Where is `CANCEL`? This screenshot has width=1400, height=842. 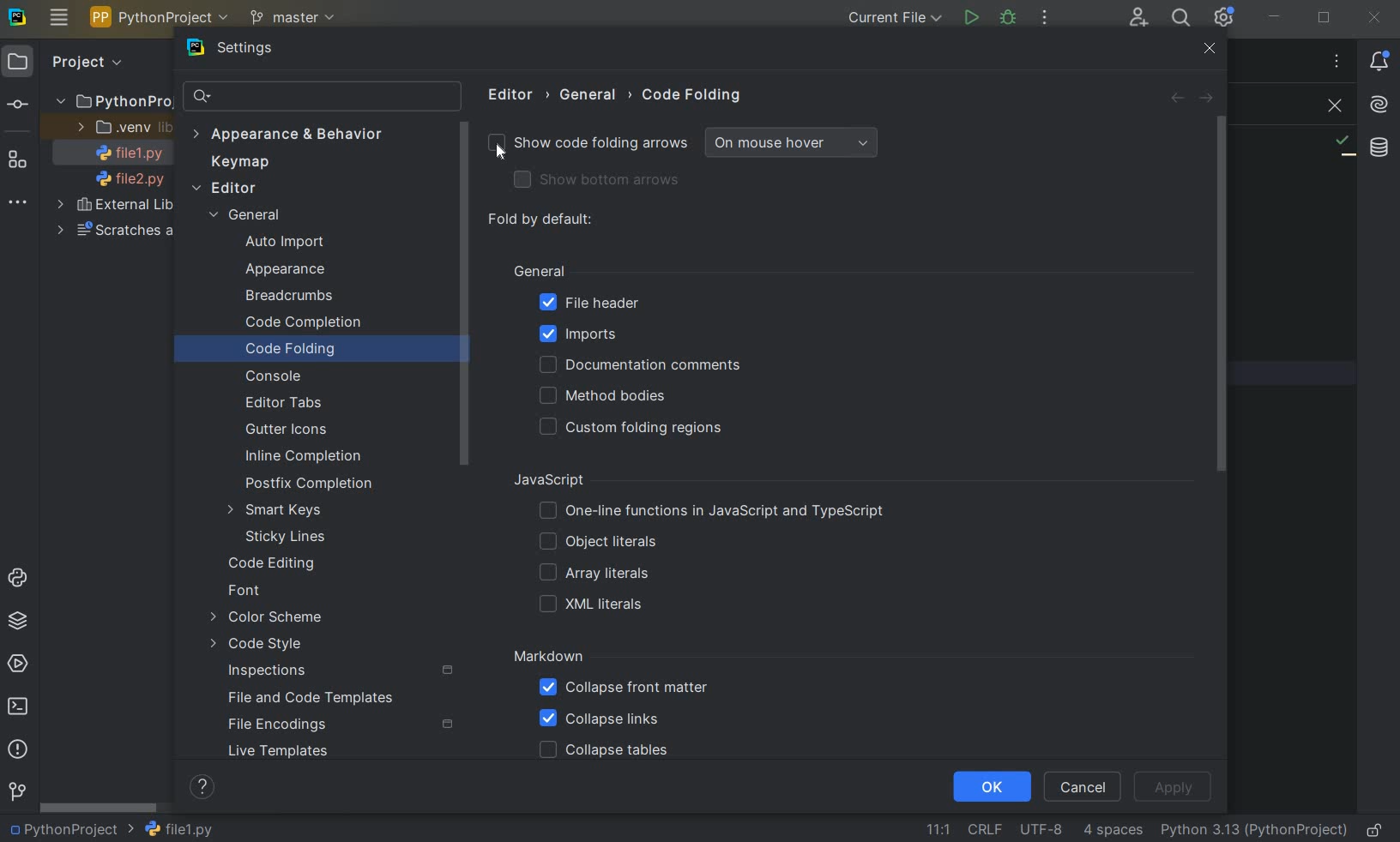 CANCEL is located at coordinates (1085, 785).